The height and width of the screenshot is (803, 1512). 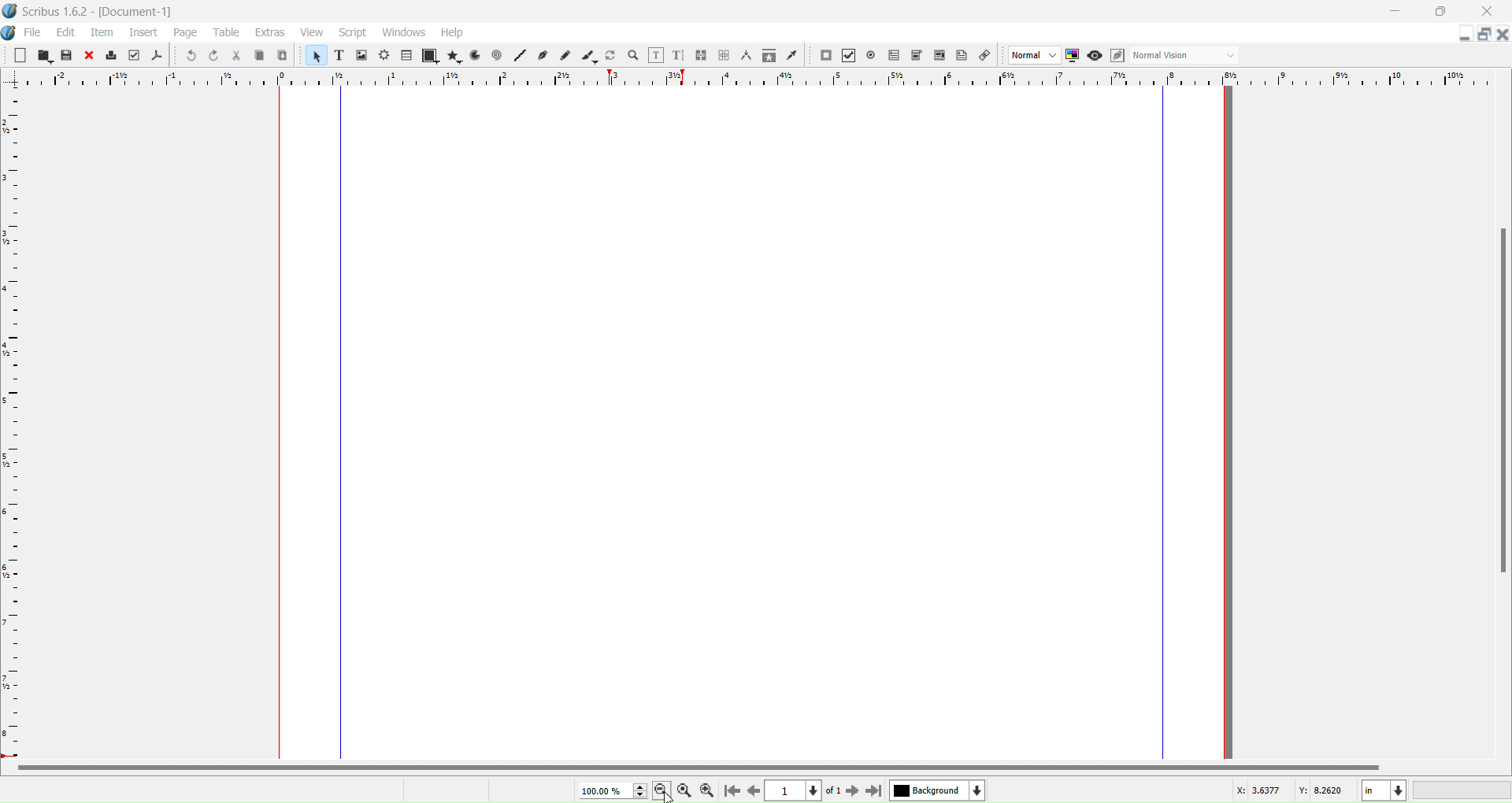 What do you see at coordinates (1187, 55) in the screenshot?
I see `Select the visual appearance of the display` at bounding box center [1187, 55].